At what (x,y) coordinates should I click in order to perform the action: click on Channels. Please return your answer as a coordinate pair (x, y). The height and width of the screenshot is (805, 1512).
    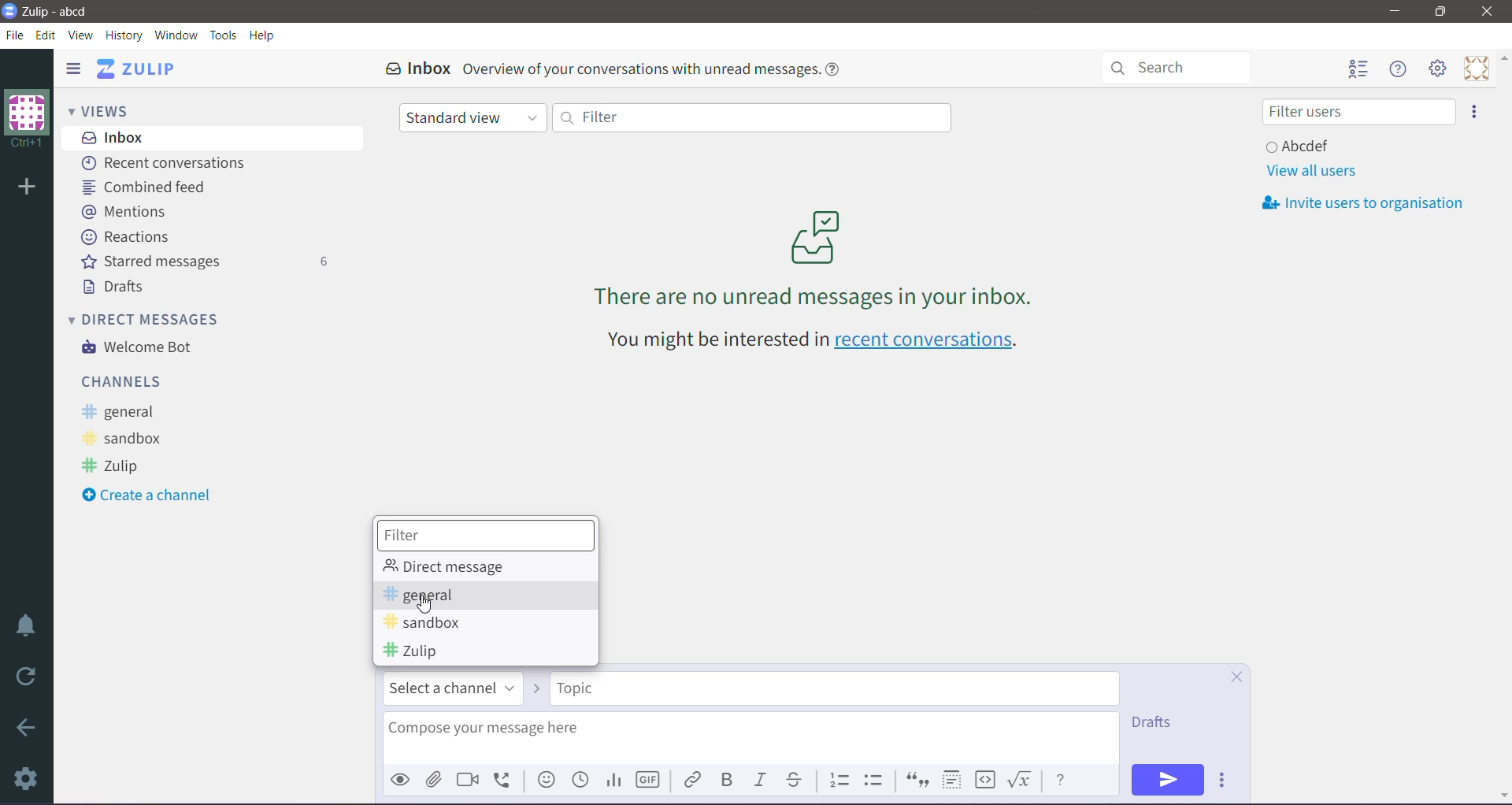
    Looking at the image, I should click on (125, 380).